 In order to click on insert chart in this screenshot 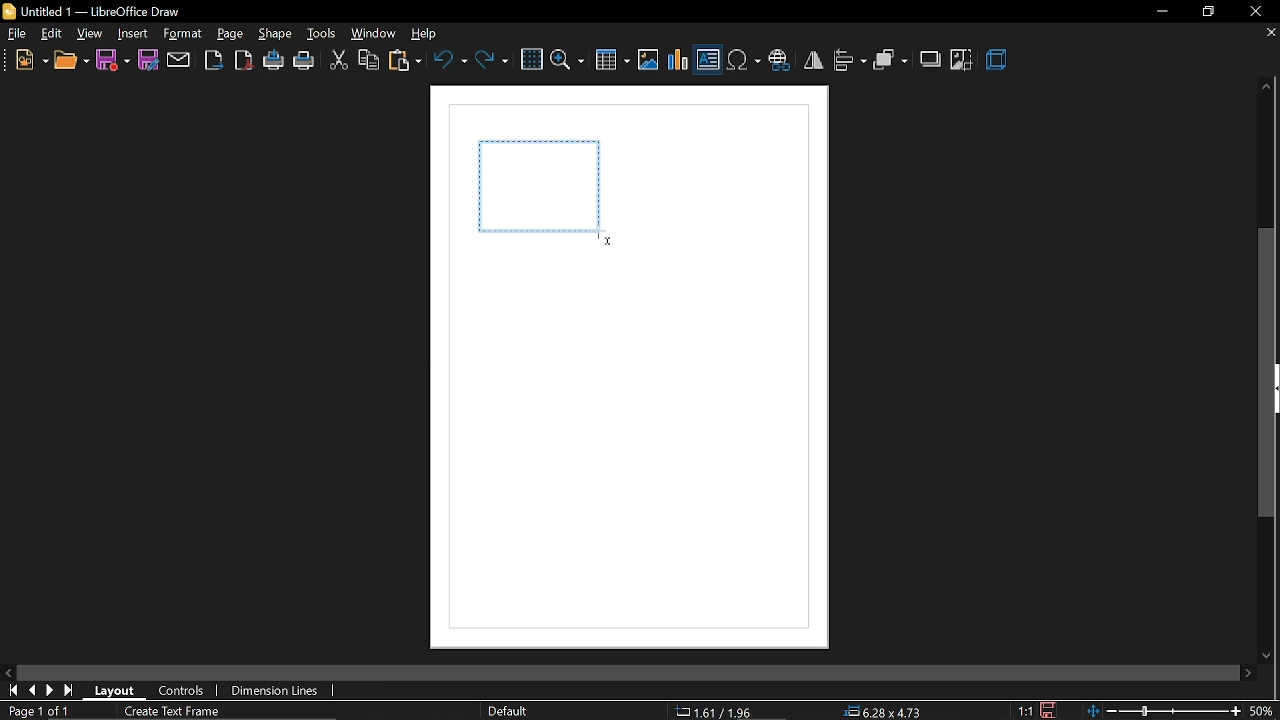, I will do `click(679, 60)`.